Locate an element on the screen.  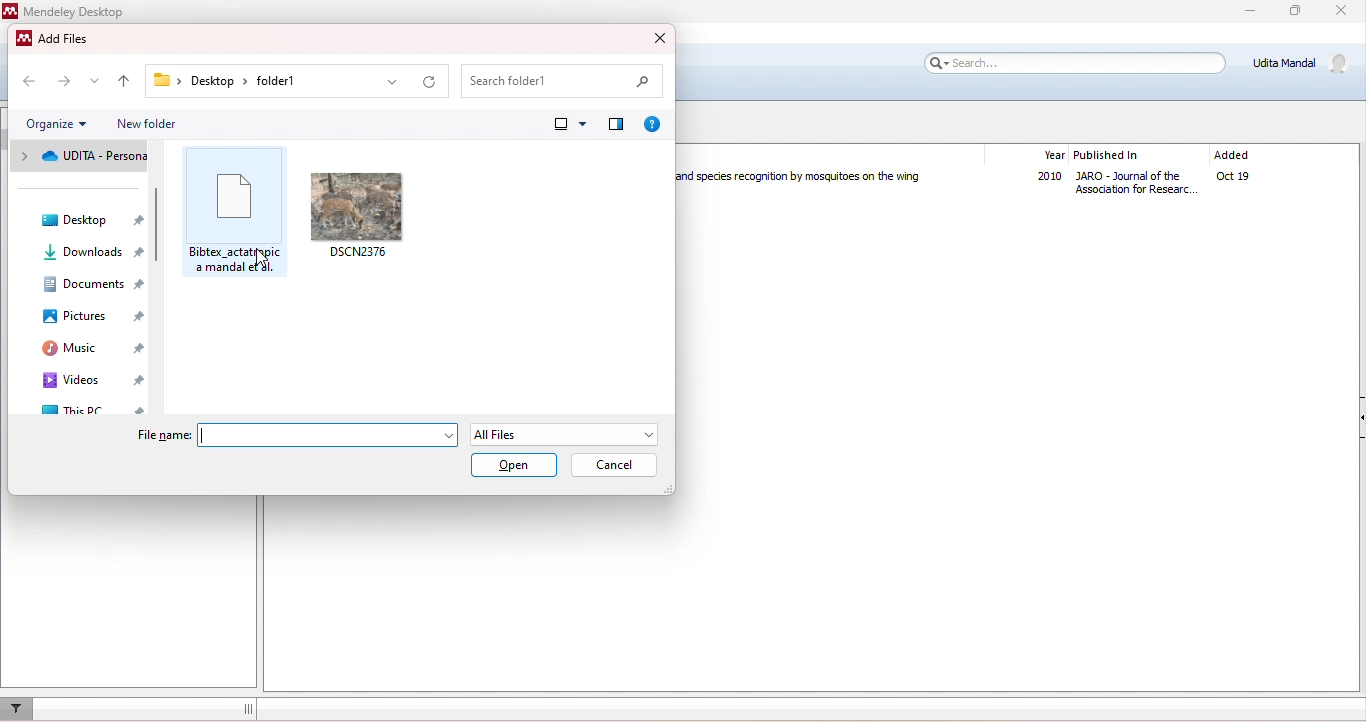
drop down is located at coordinates (392, 82).